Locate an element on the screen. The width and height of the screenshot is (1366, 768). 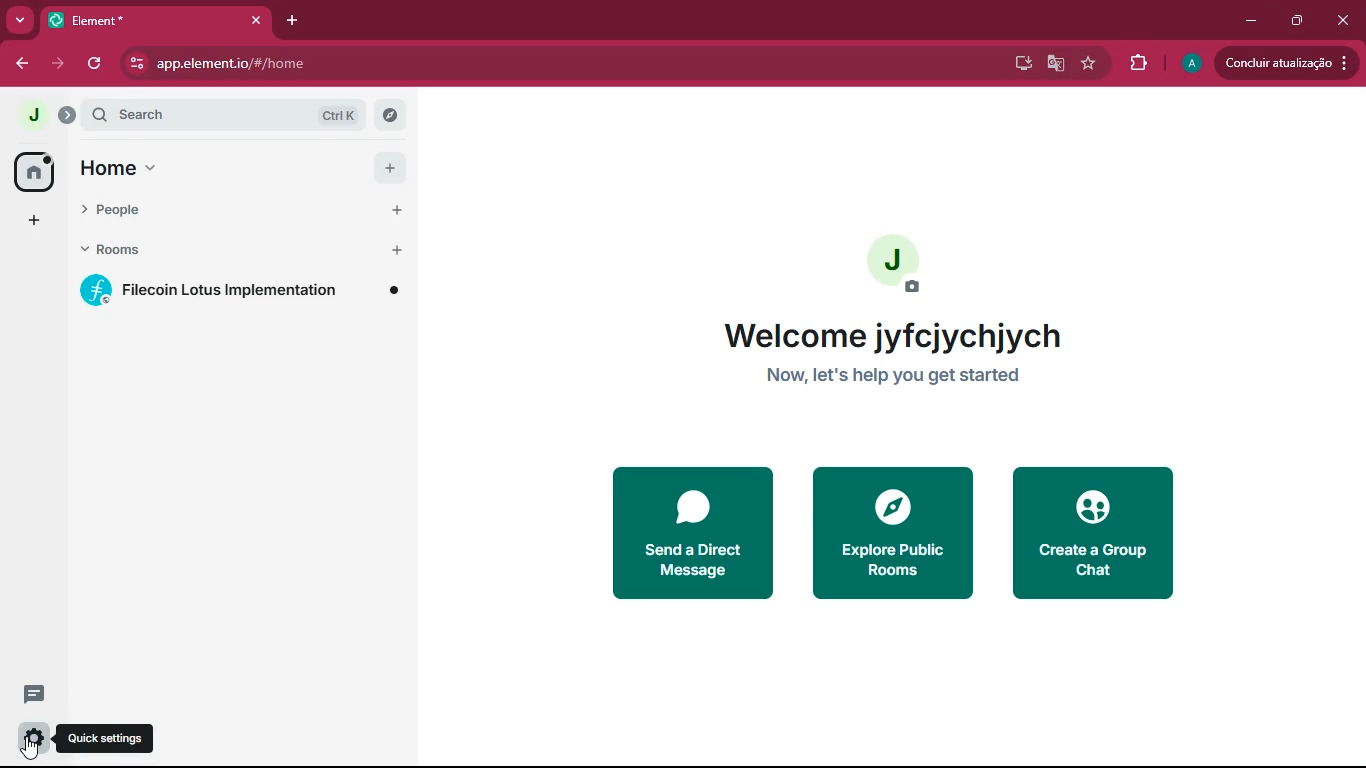
favourite  is located at coordinates (1087, 65).